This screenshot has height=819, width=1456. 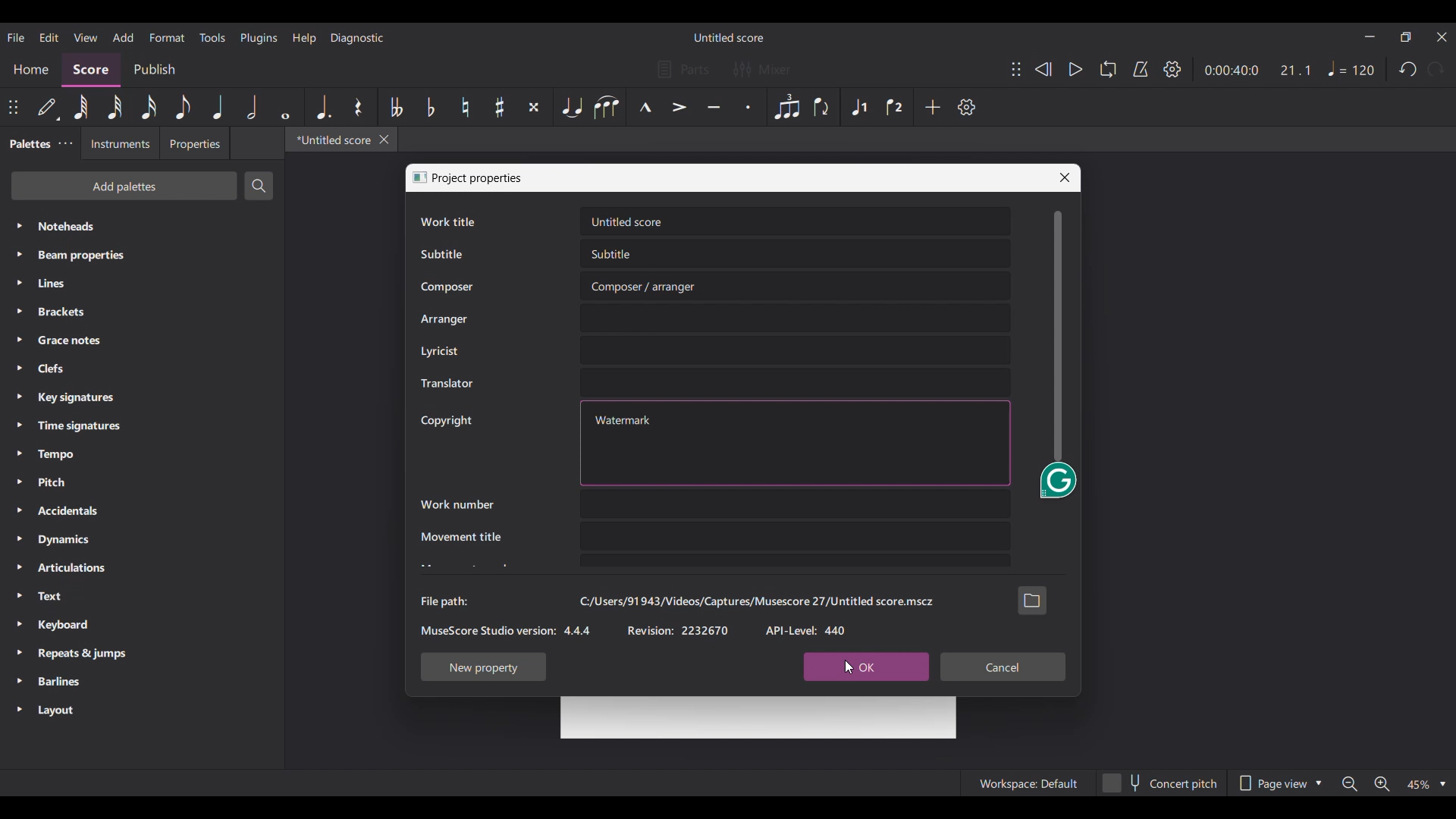 I want to click on View menu, so click(x=86, y=37).